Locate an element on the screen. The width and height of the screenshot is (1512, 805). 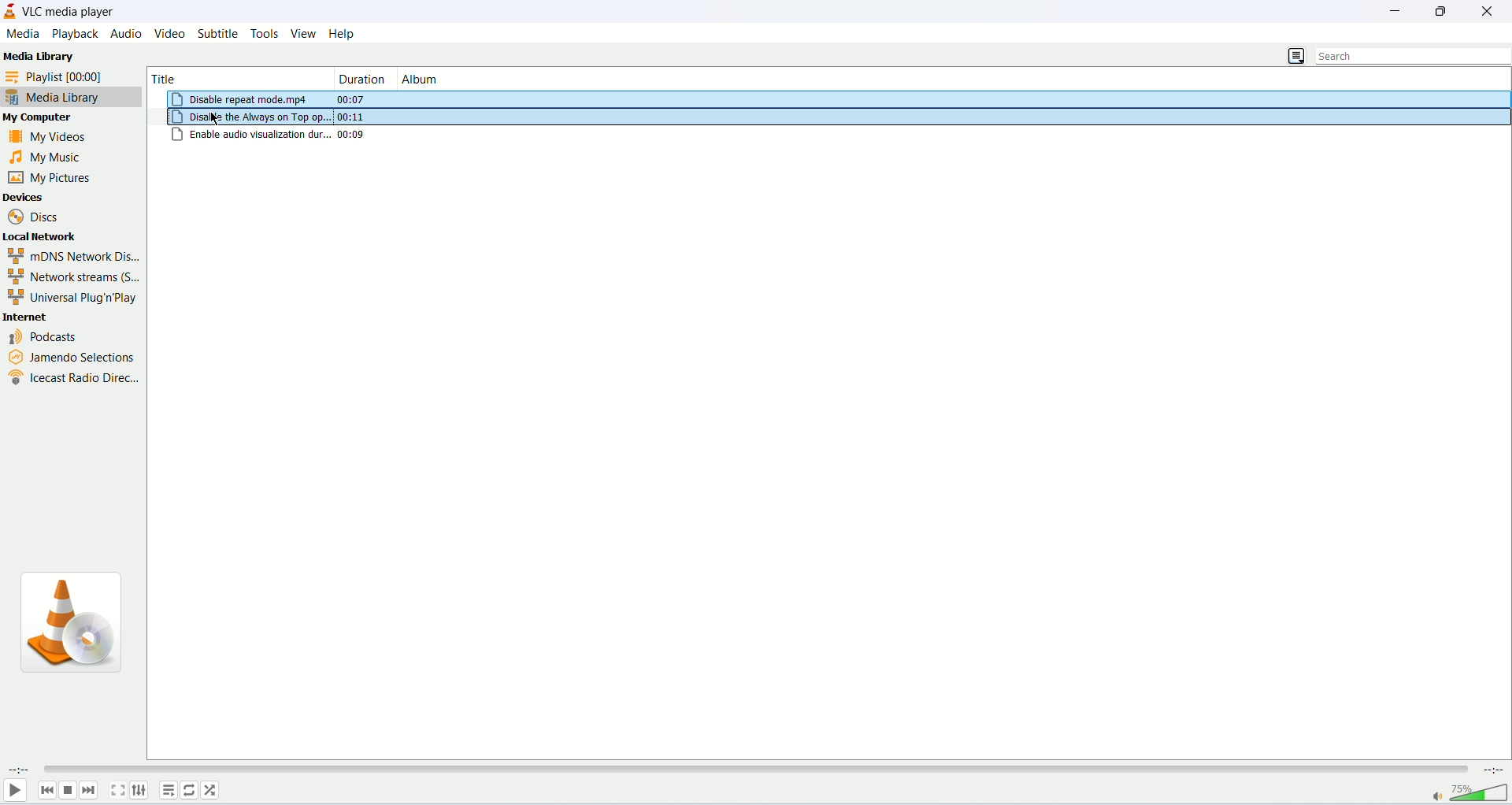
stop is located at coordinates (68, 791).